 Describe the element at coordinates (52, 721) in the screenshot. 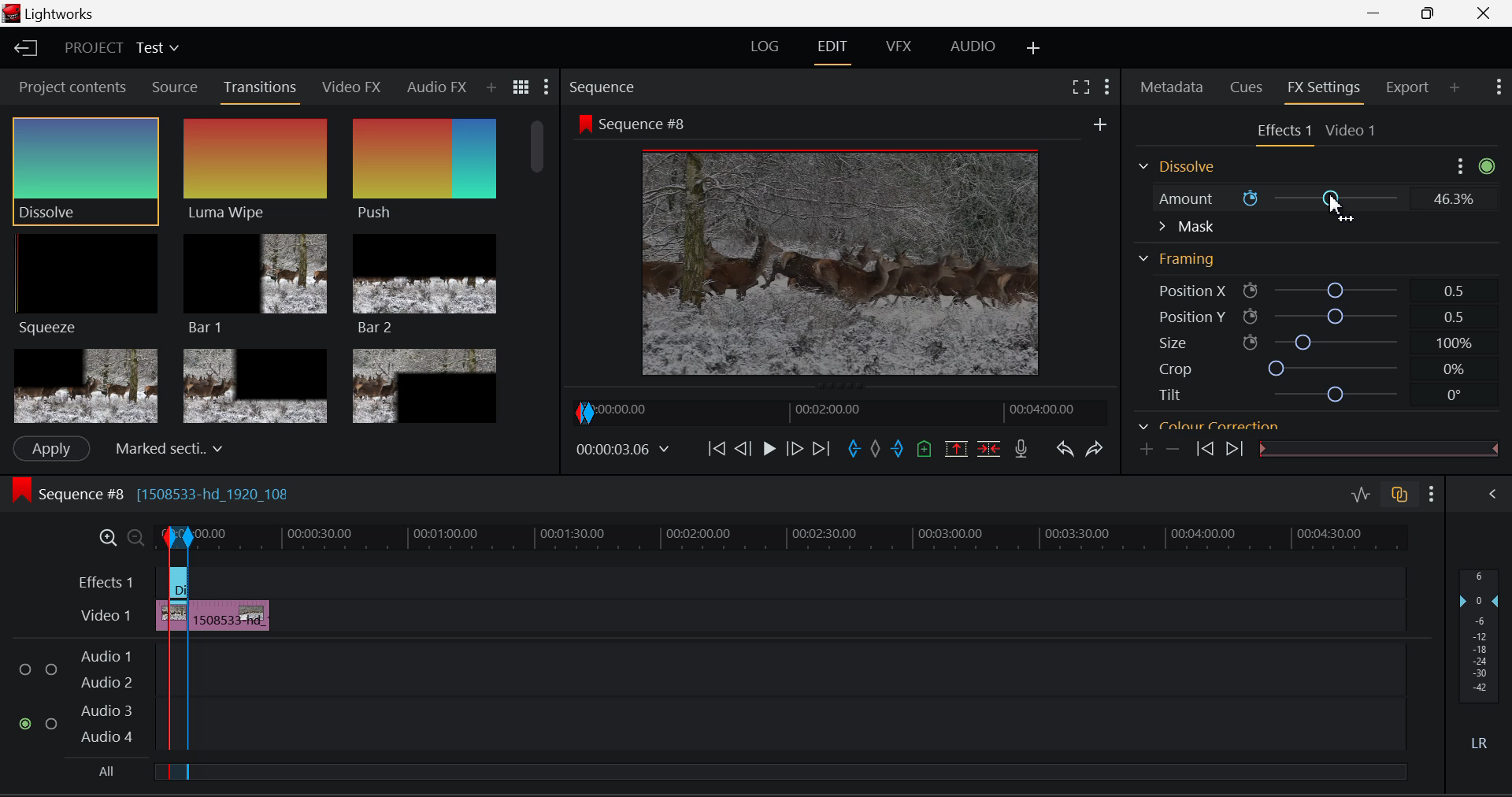

I see `Audio Input Checkbox` at that location.